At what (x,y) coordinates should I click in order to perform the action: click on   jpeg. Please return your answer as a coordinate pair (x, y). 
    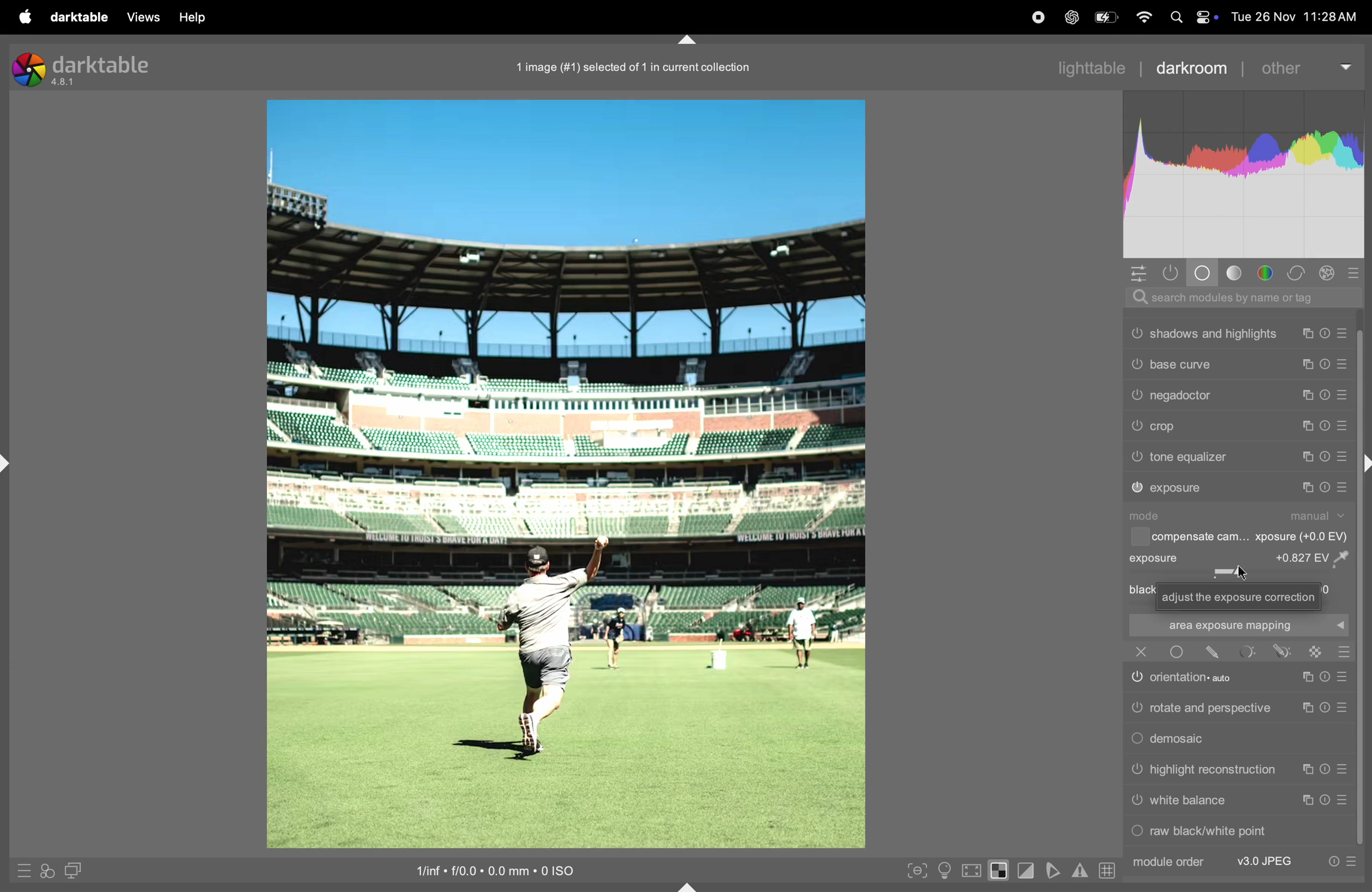
    Looking at the image, I should click on (1266, 861).